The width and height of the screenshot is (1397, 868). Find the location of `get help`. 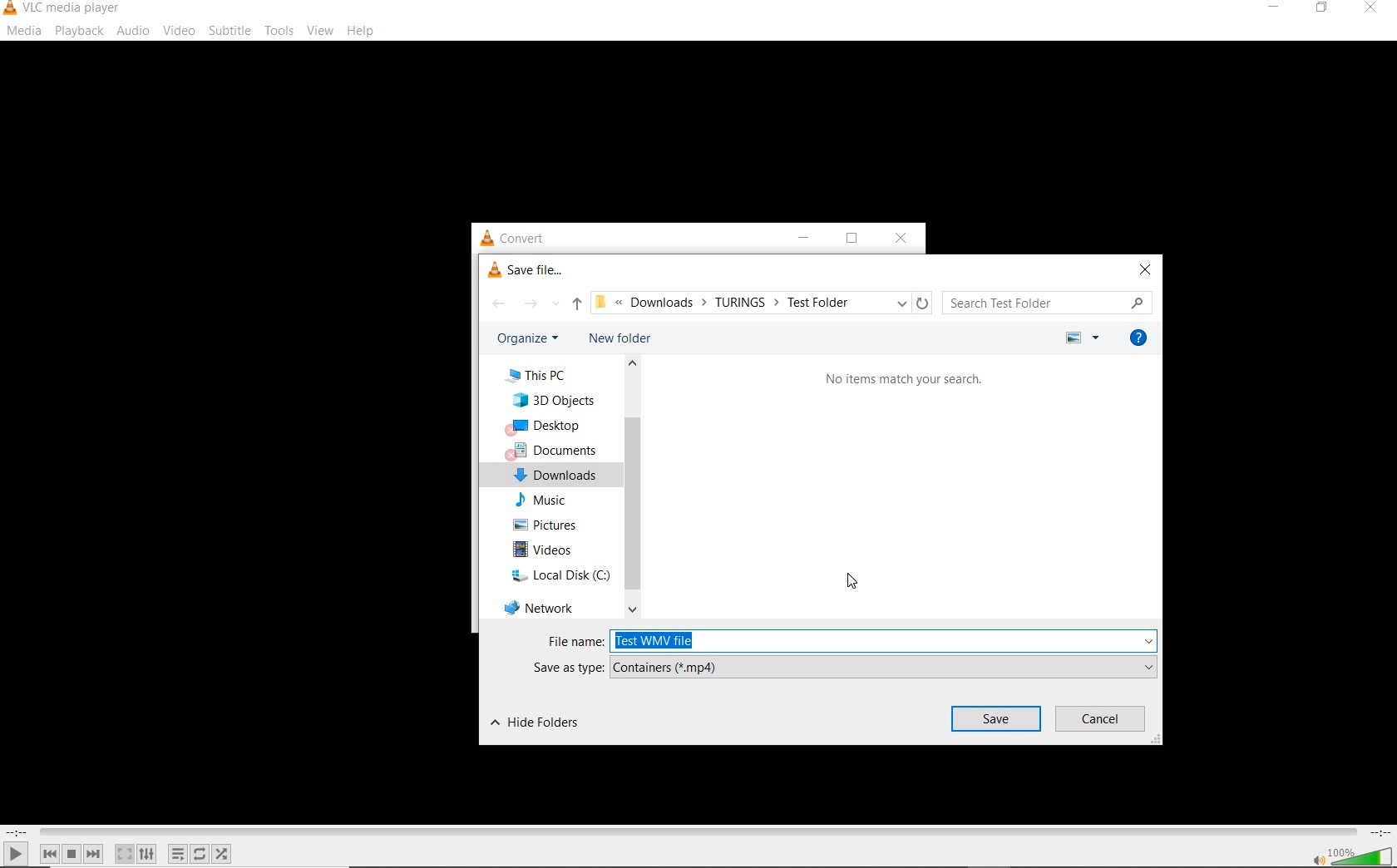

get help is located at coordinates (1137, 337).